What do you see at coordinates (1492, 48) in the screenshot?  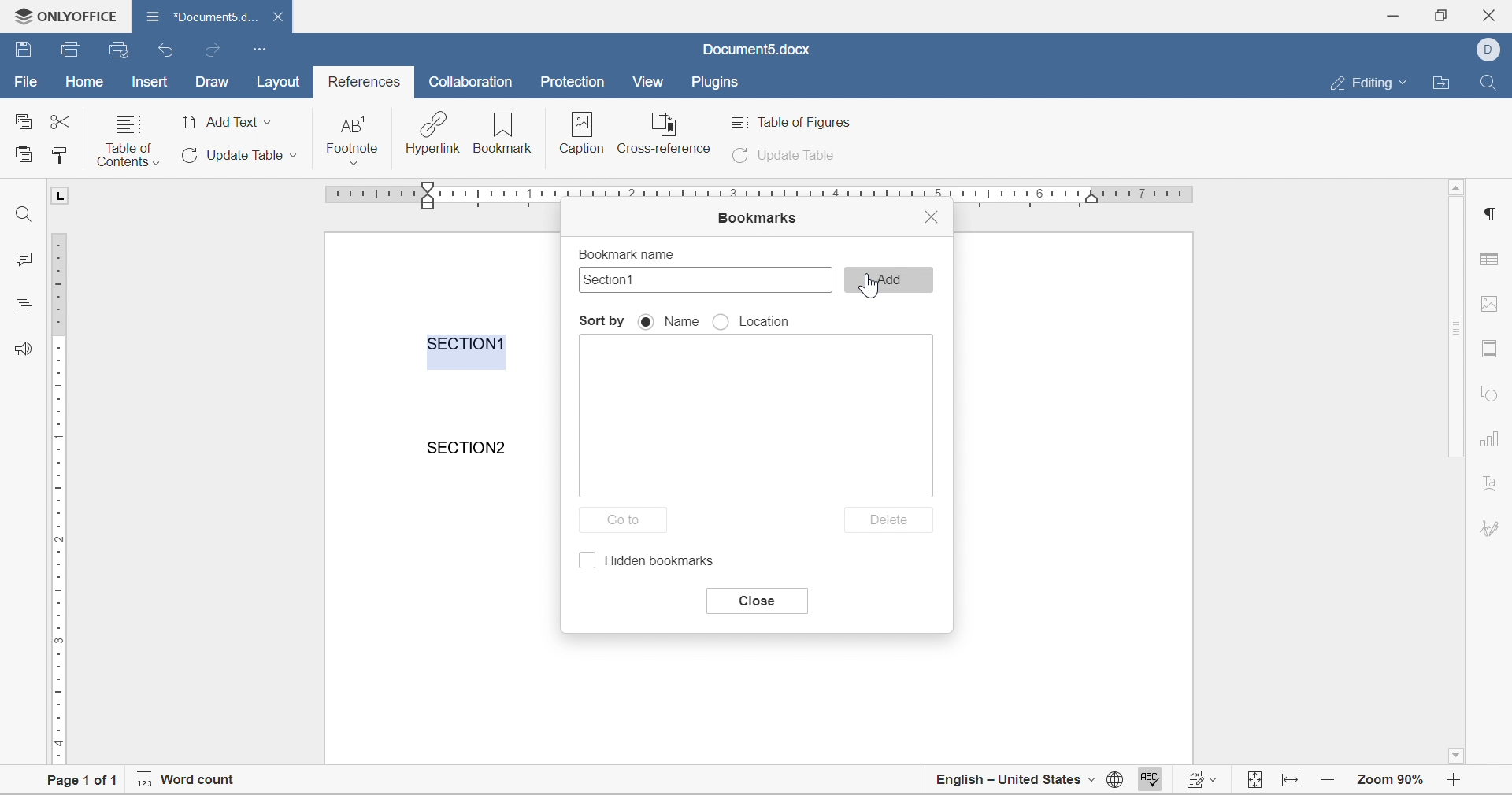 I see `dell` at bounding box center [1492, 48].